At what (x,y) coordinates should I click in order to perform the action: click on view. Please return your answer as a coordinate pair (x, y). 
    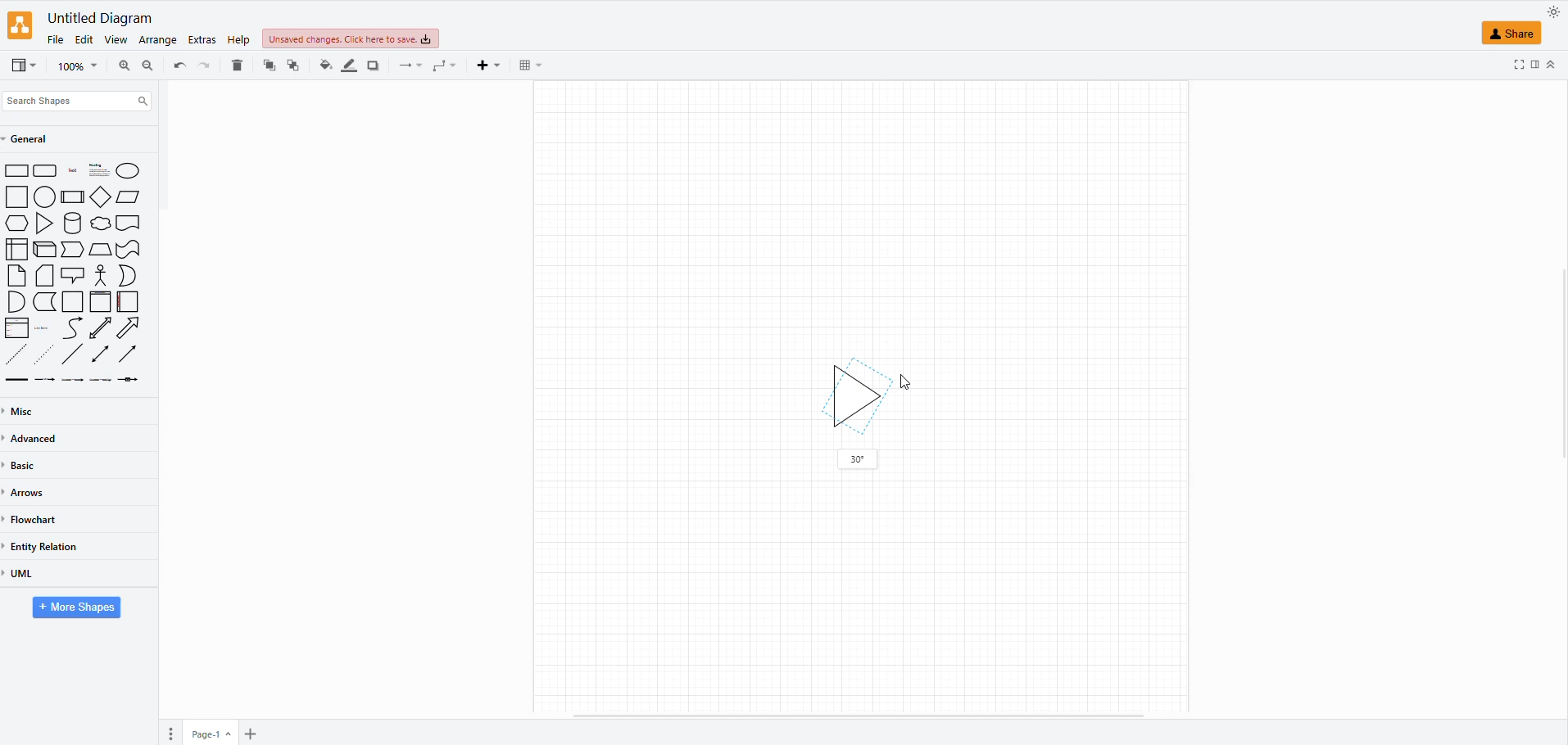
    Looking at the image, I should click on (115, 38).